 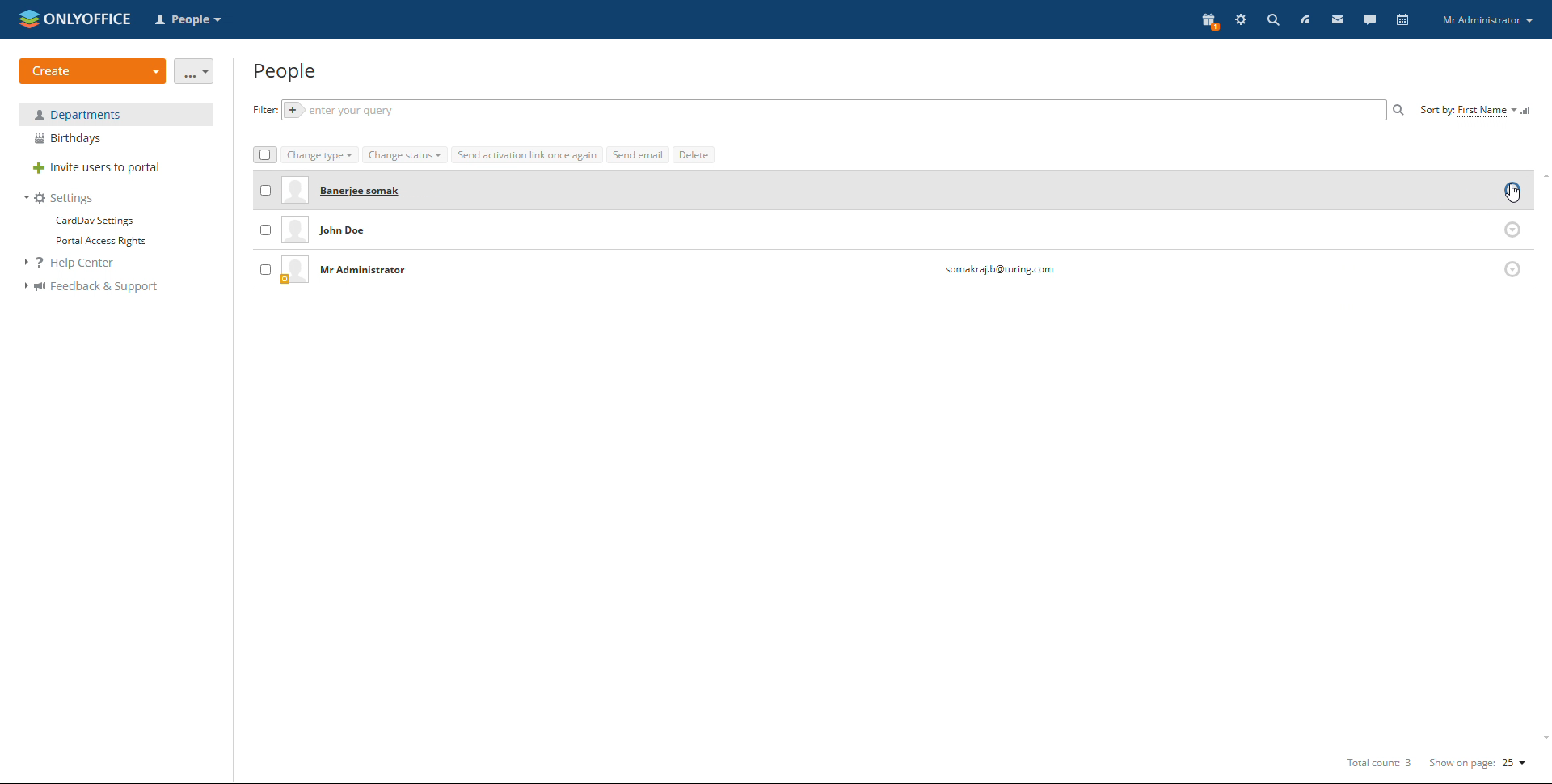 What do you see at coordinates (405, 155) in the screenshot?
I see `change status` at bounding box center [405, 155].